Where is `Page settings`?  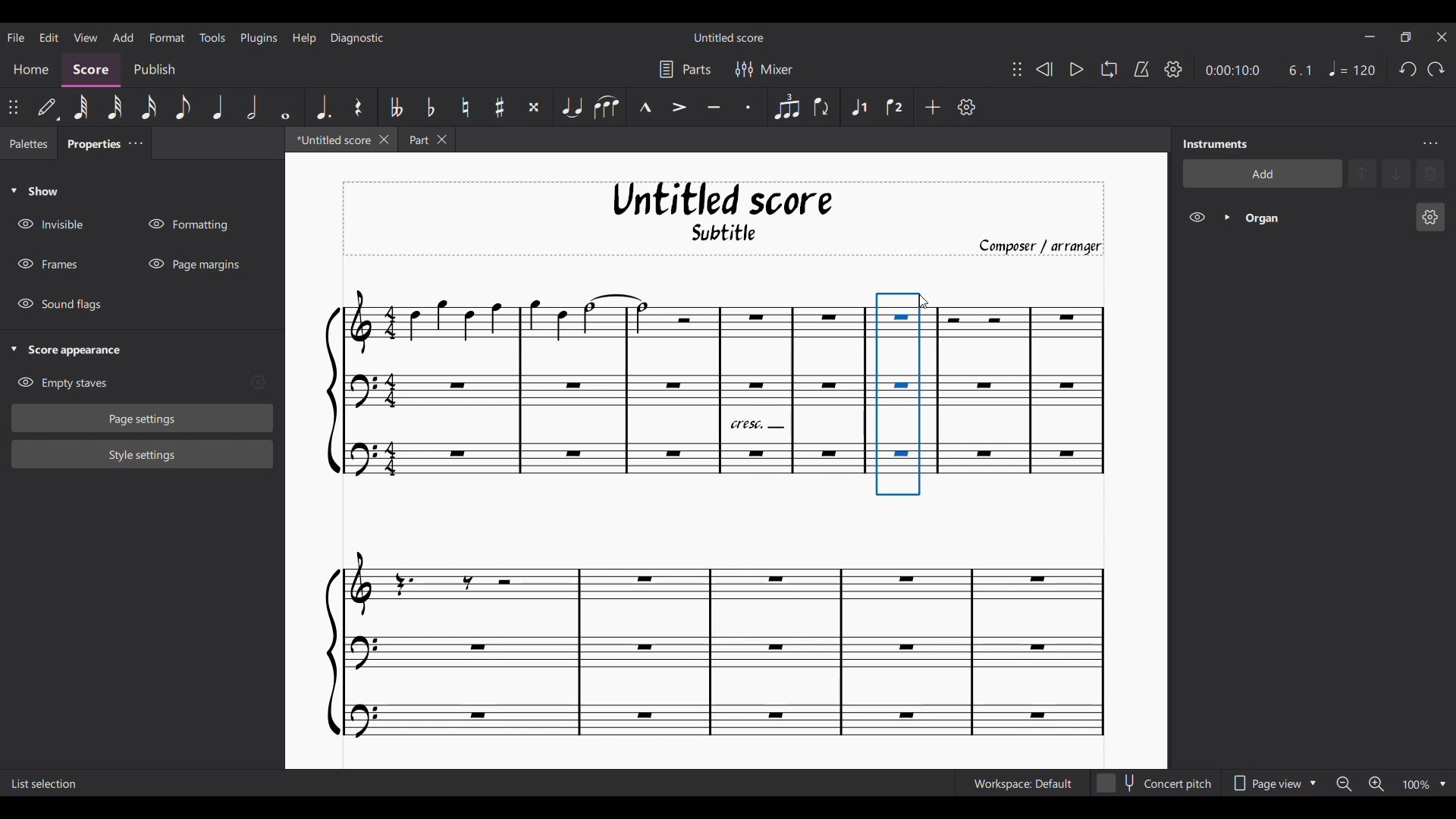
Page settings is located at coordinates (143, 419).